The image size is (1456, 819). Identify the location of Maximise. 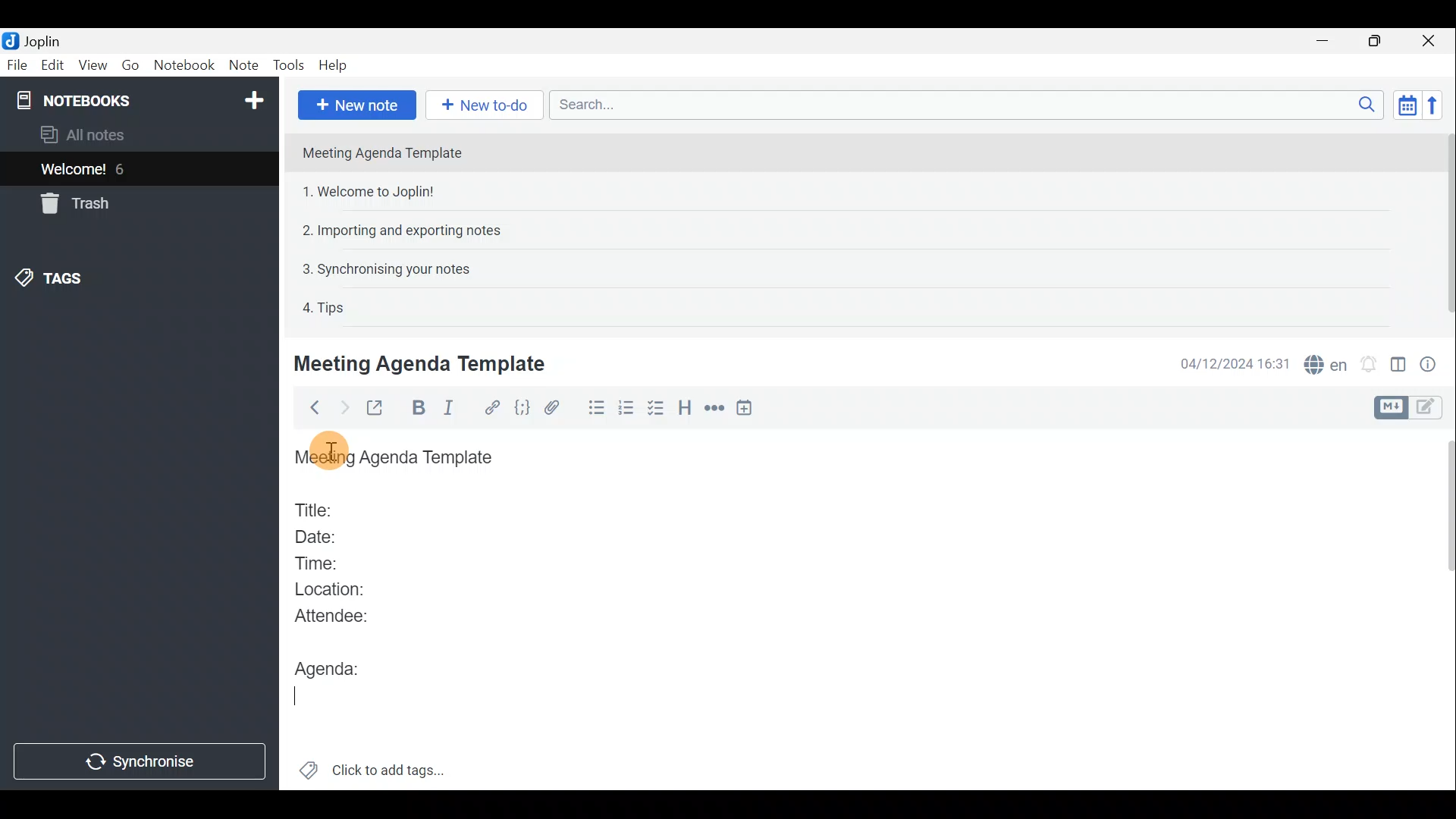
(1376, 42).